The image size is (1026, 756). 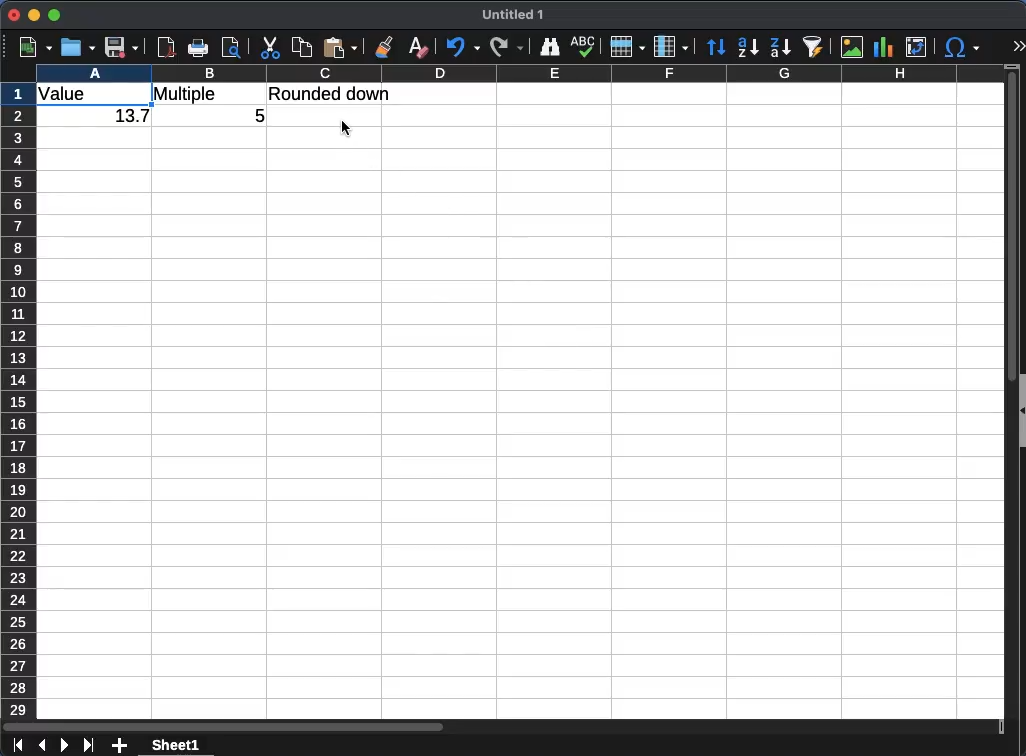 I want to click on maximize, so click(x=56, y=15).